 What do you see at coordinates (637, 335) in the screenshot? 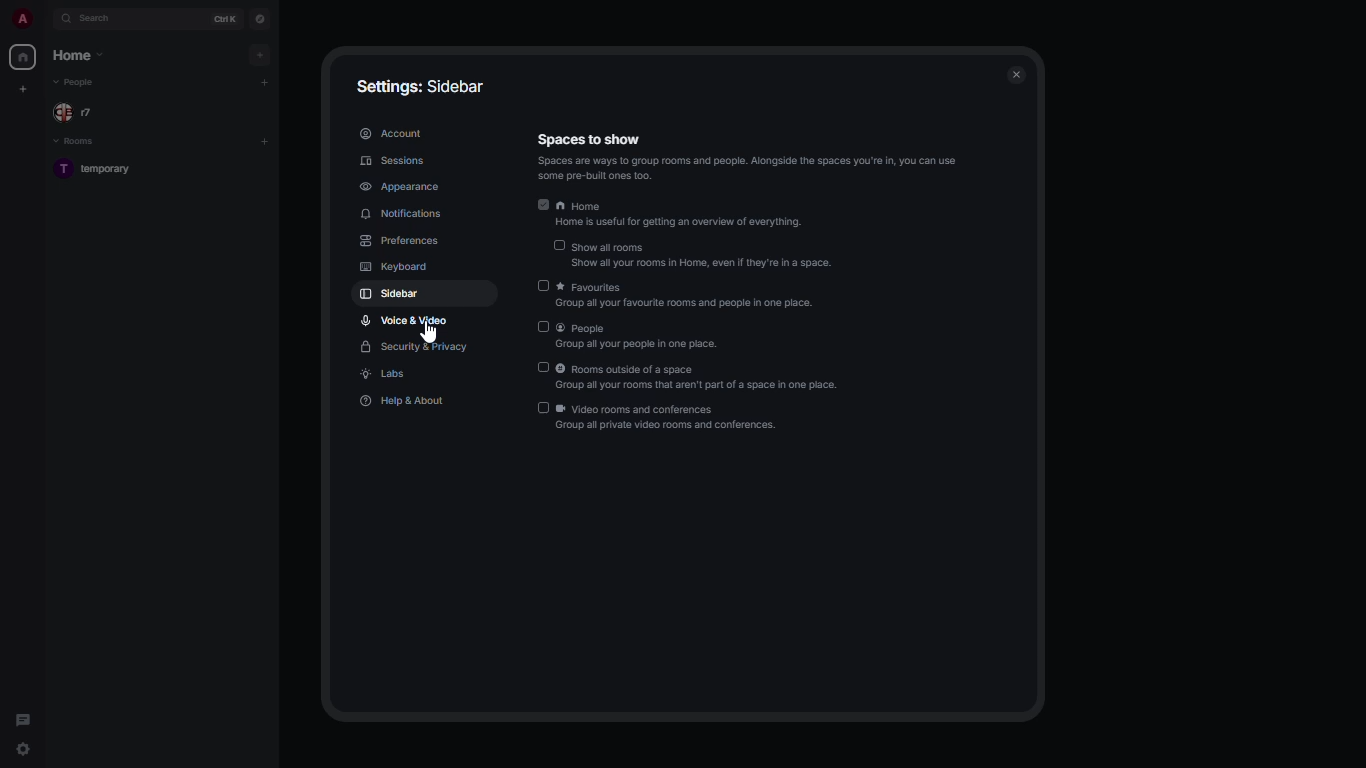
I see `people` at bounding box center [637, 335].